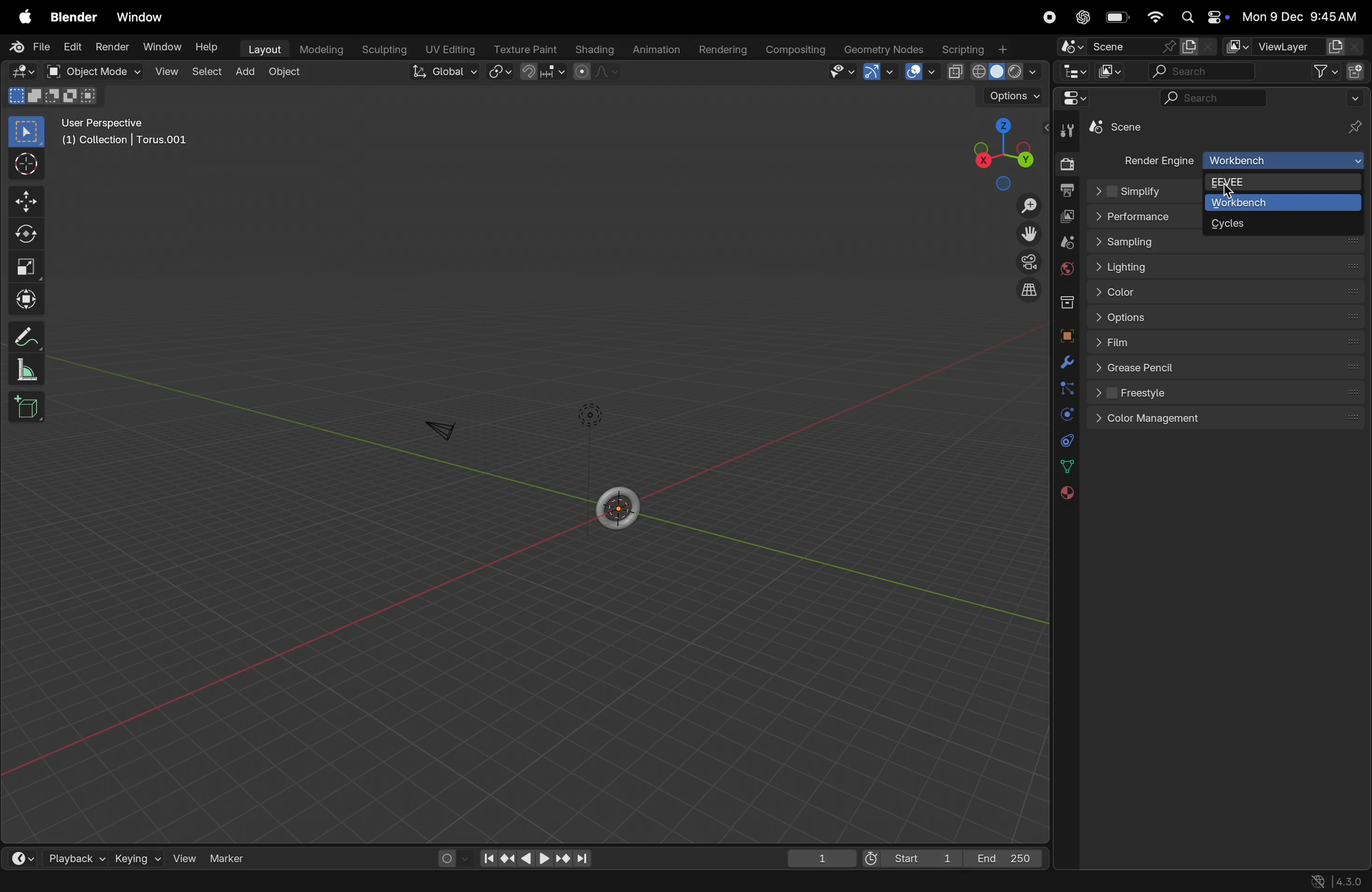 Image resolution: width=1372 pixels, height=892 pixels. Describe the element at coordinates (263, 48) in the screenshot. I see `layout` at that location.